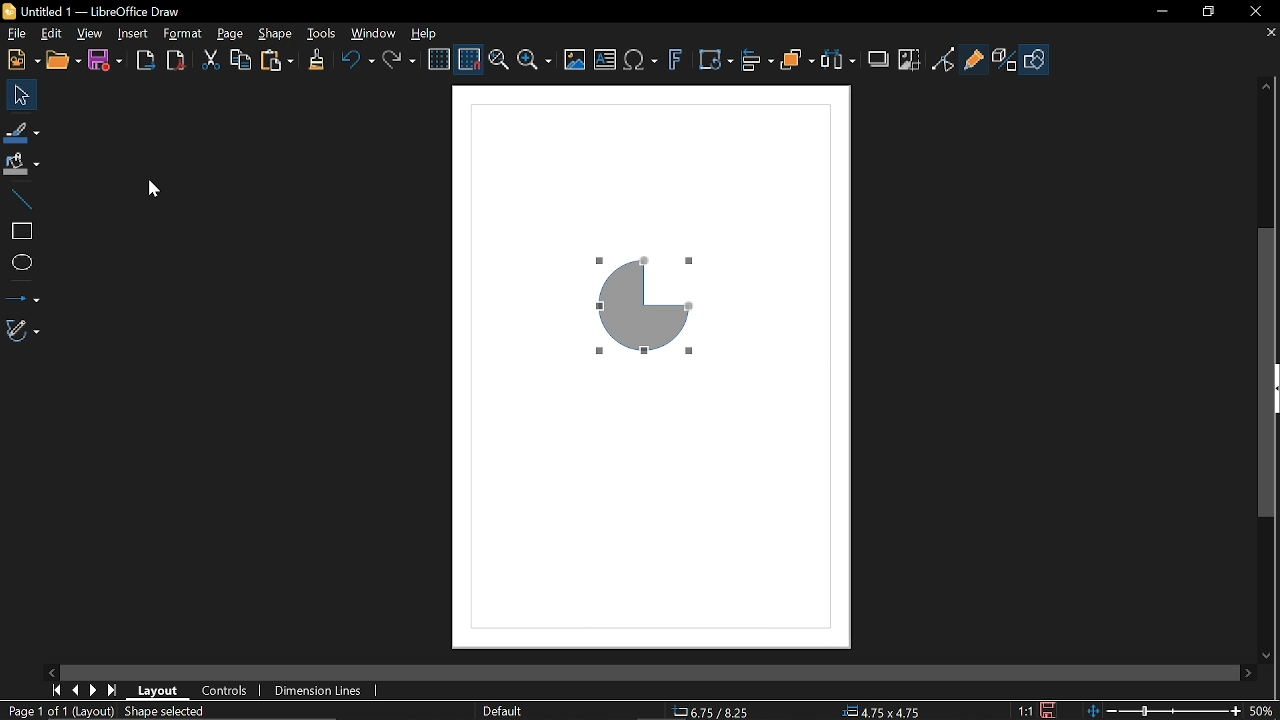  Describe the element at coordinates (14, 34) in the screenshot. I see `File` at that location.